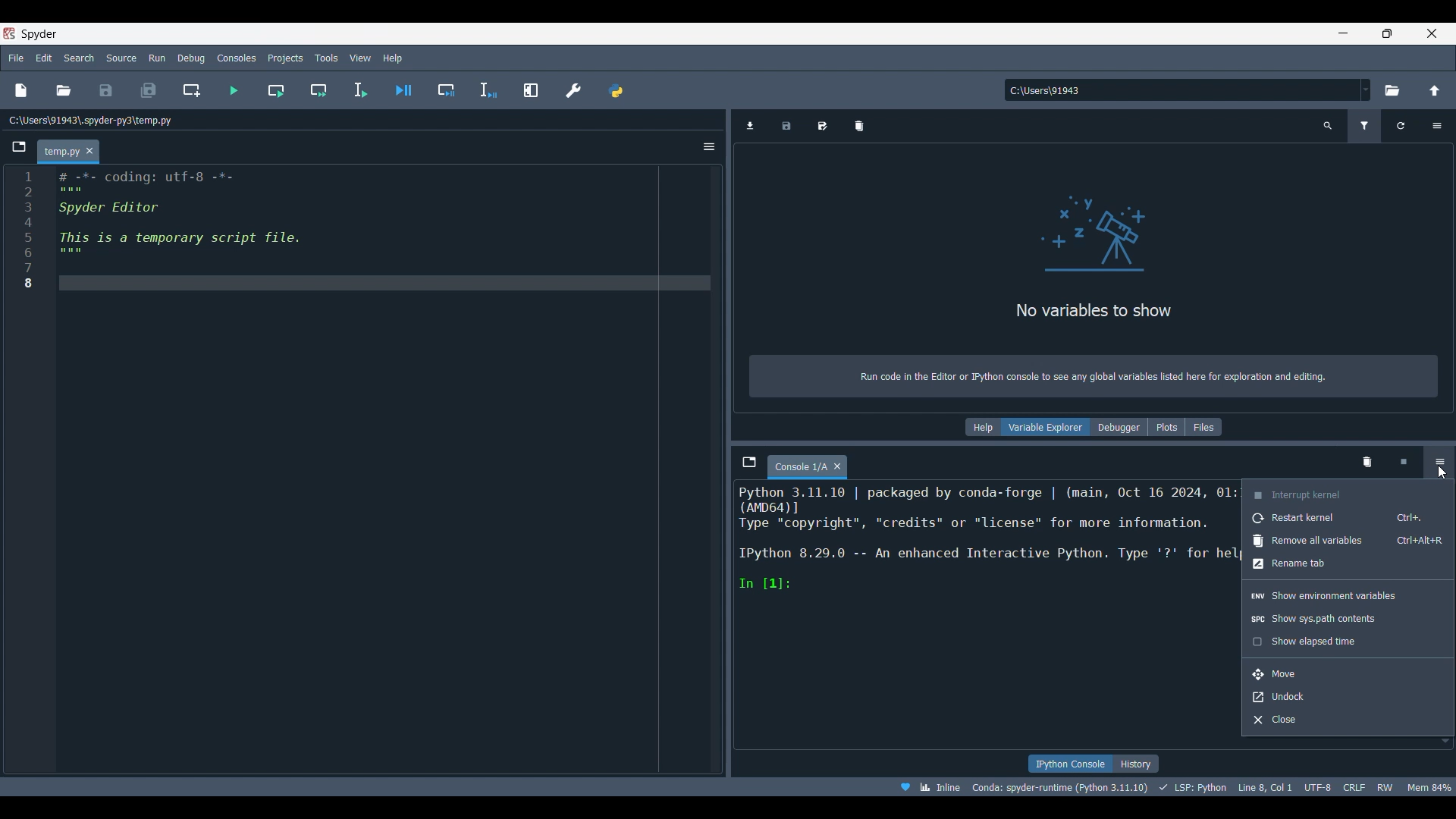 This screenshot has height=819, width=1456. I want to click on Show sys.path contents, so click(1348, 619).